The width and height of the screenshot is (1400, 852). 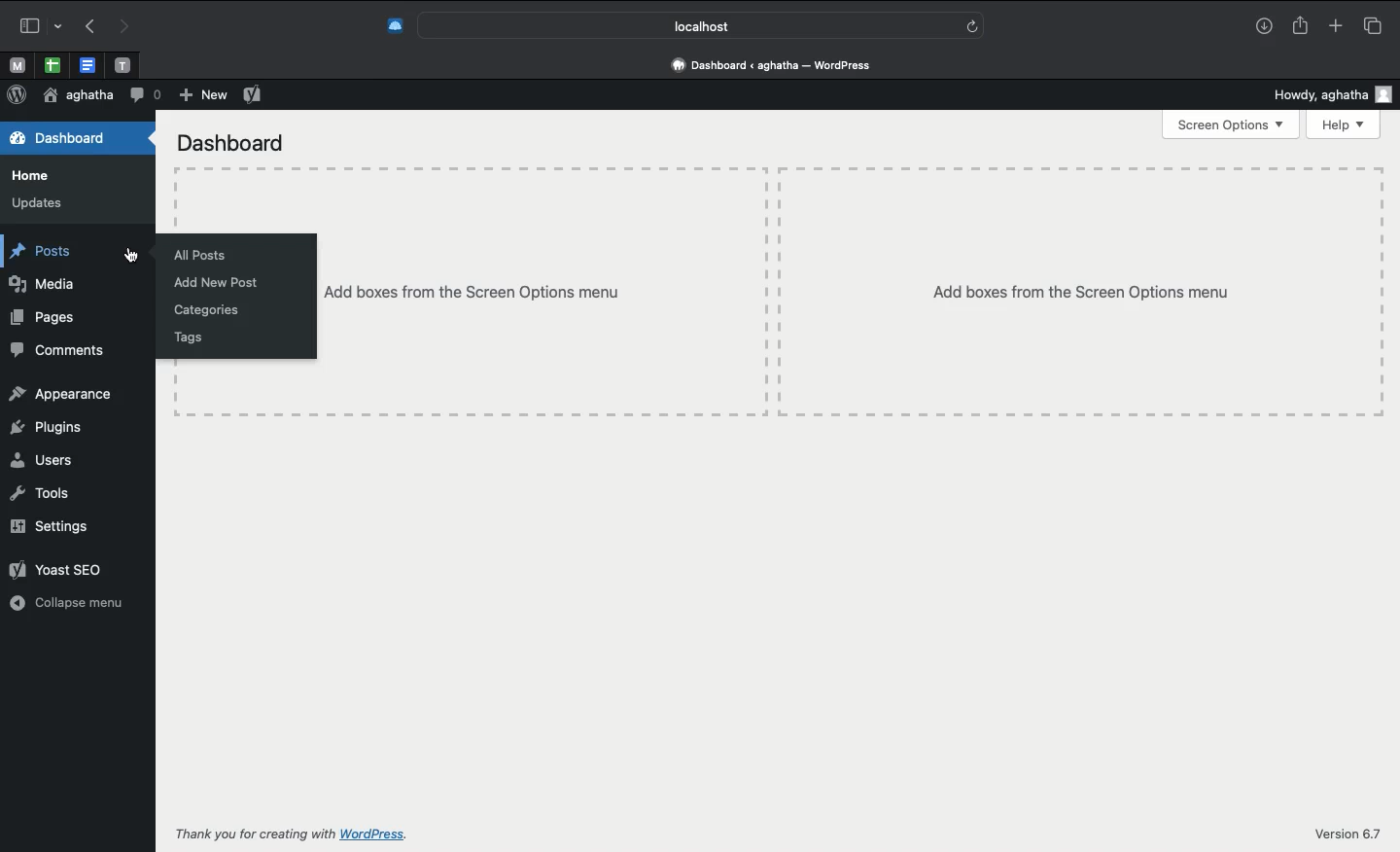 I want to click on Pages, so click(x=49, y=316).